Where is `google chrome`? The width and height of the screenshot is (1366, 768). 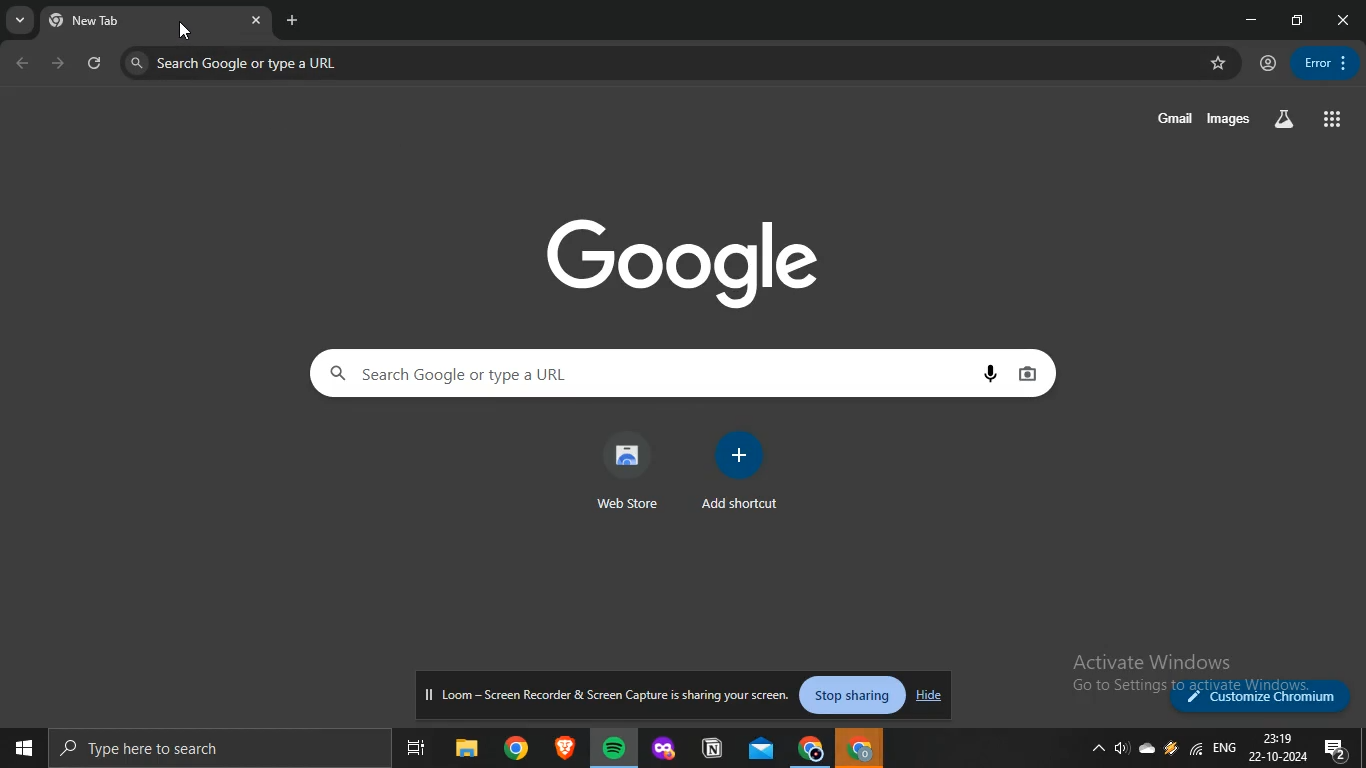
google chrome is located at coordinates (811, 747).